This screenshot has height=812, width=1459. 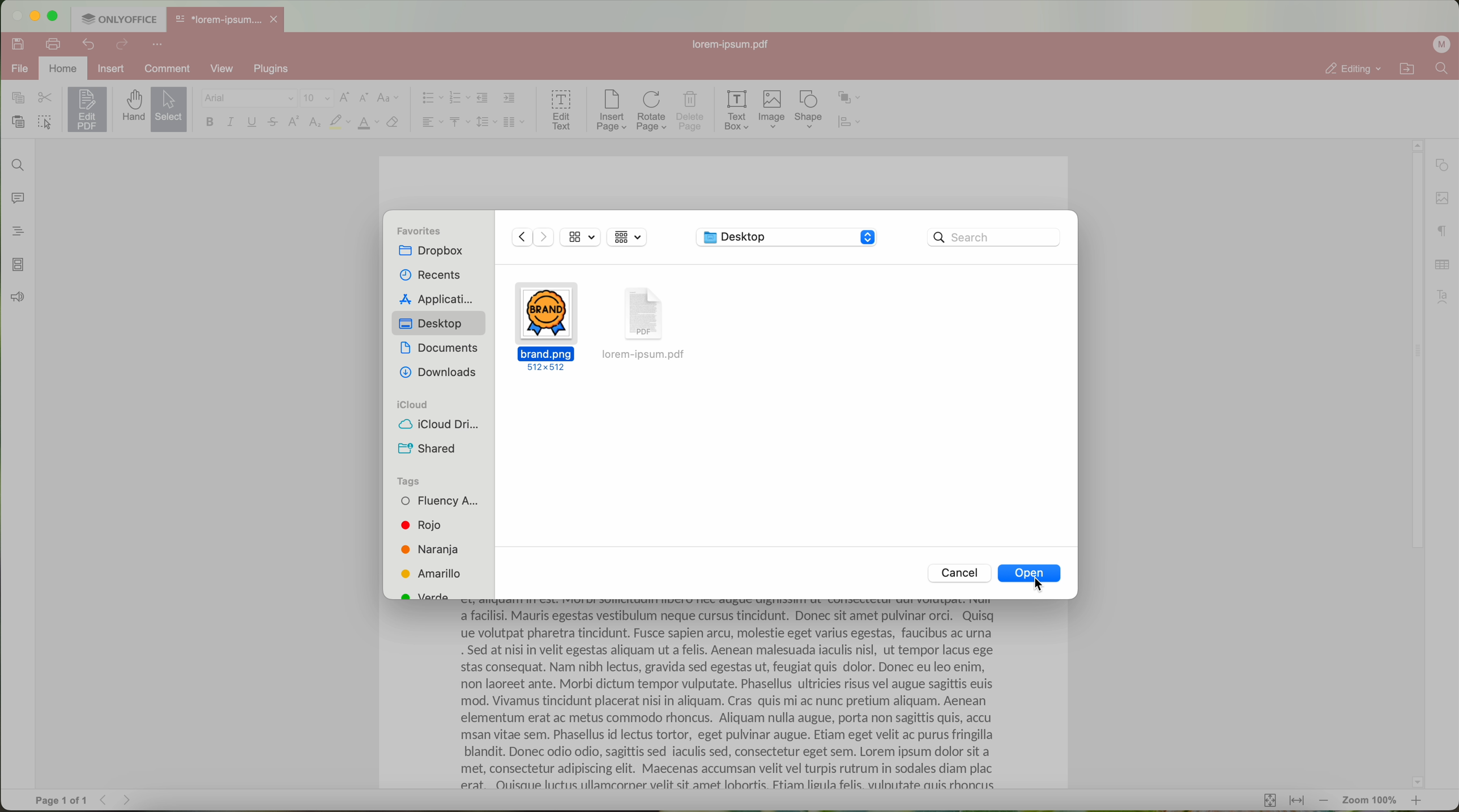 What do you see at coordinates (869, 237) in the screenshot?
I see `Stepper buttons` at bounding box center [869, 237].